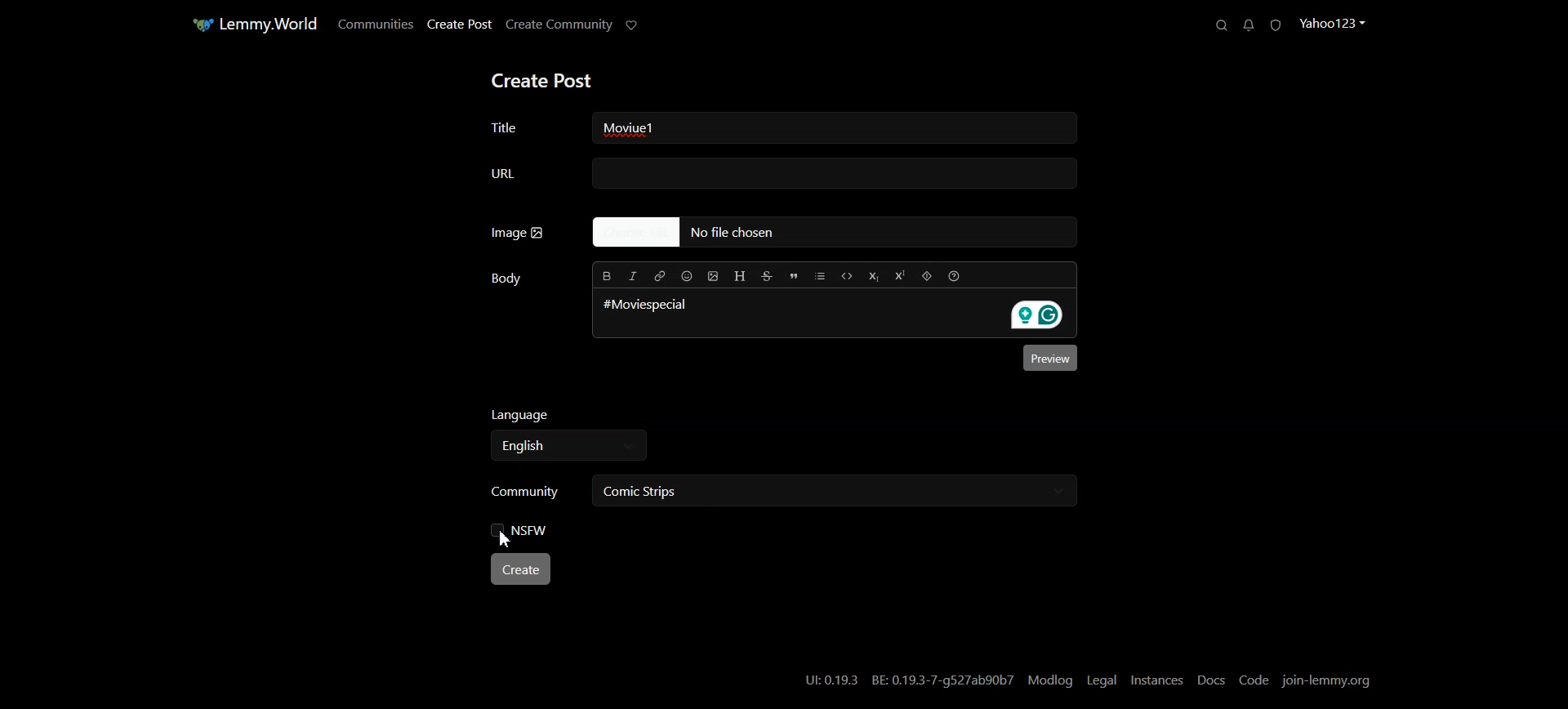 The height and width of the screenshot is (709, 1568). I want to click on Header, so click(743, 276).